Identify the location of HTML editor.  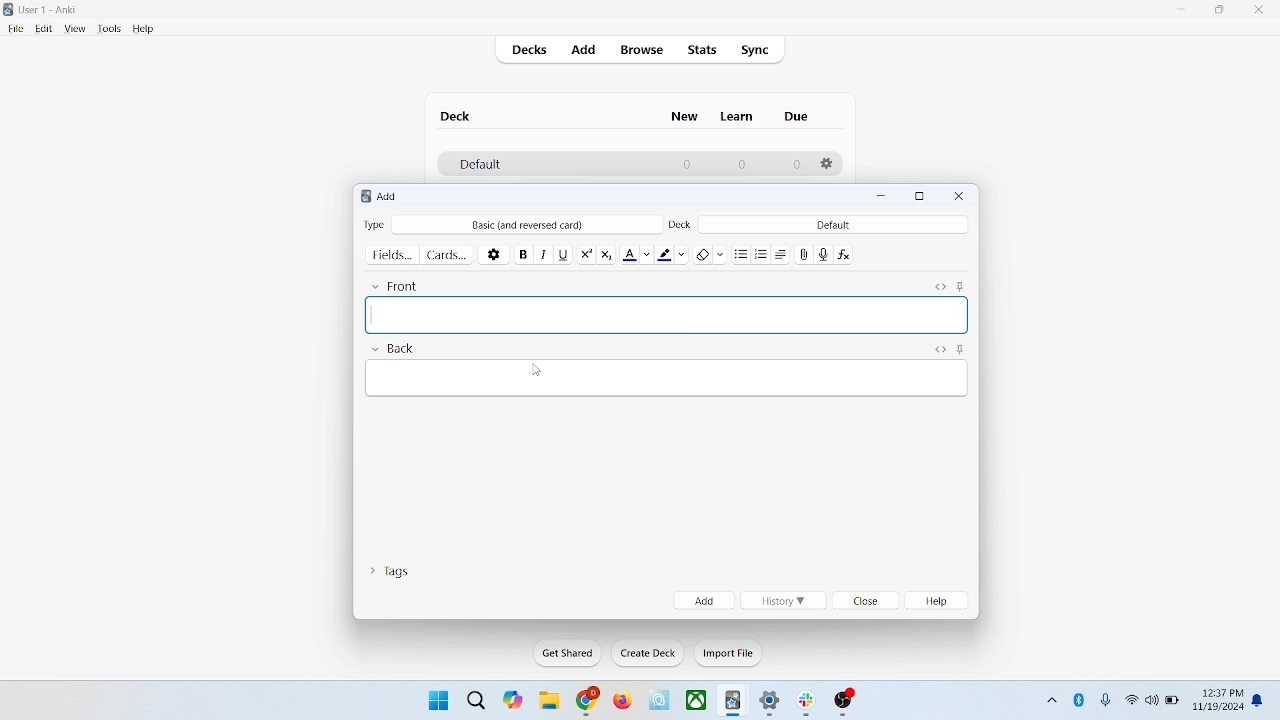
(939, 348).